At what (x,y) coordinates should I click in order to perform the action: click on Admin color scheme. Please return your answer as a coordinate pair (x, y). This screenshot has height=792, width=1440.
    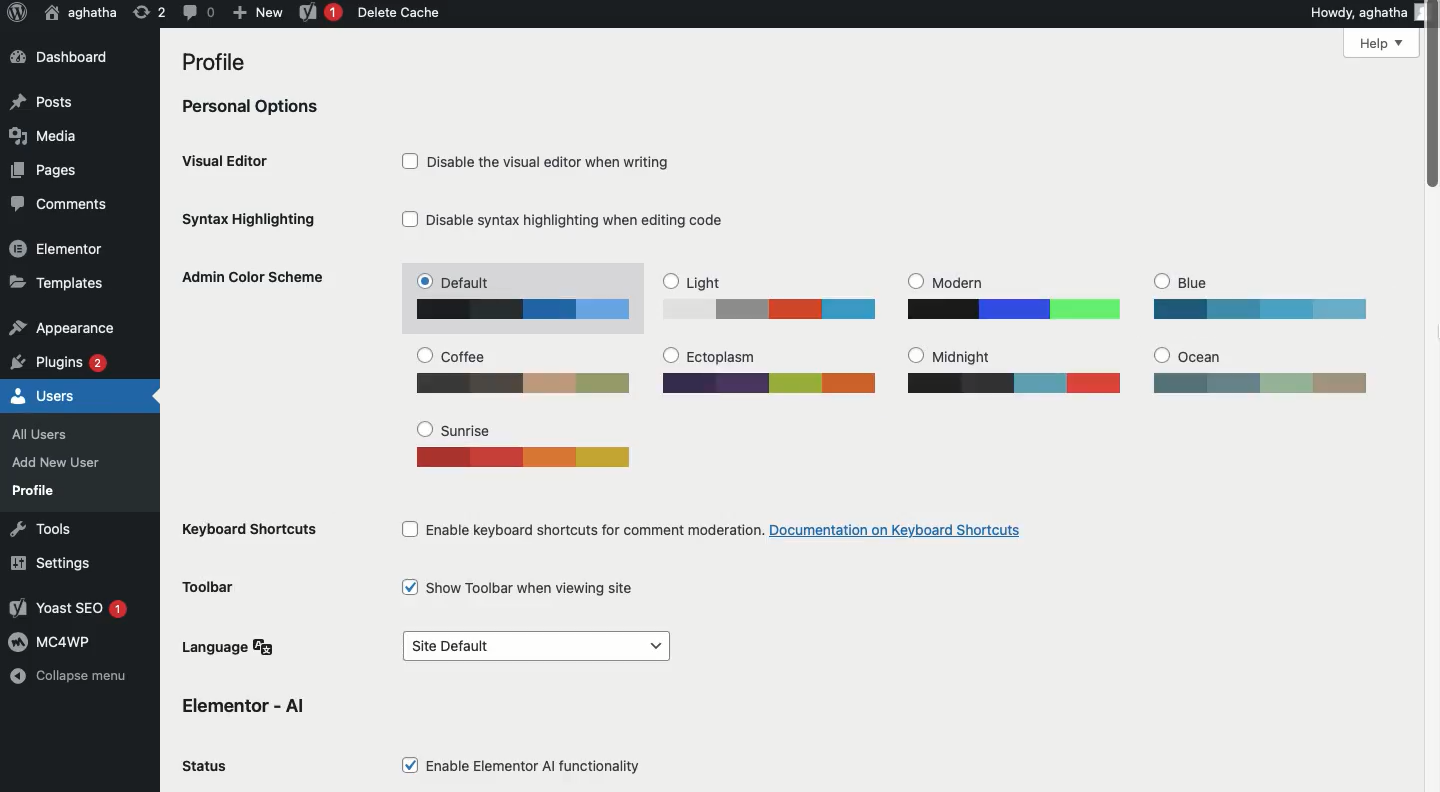
    Looking at the image, I should click on (255, 278).